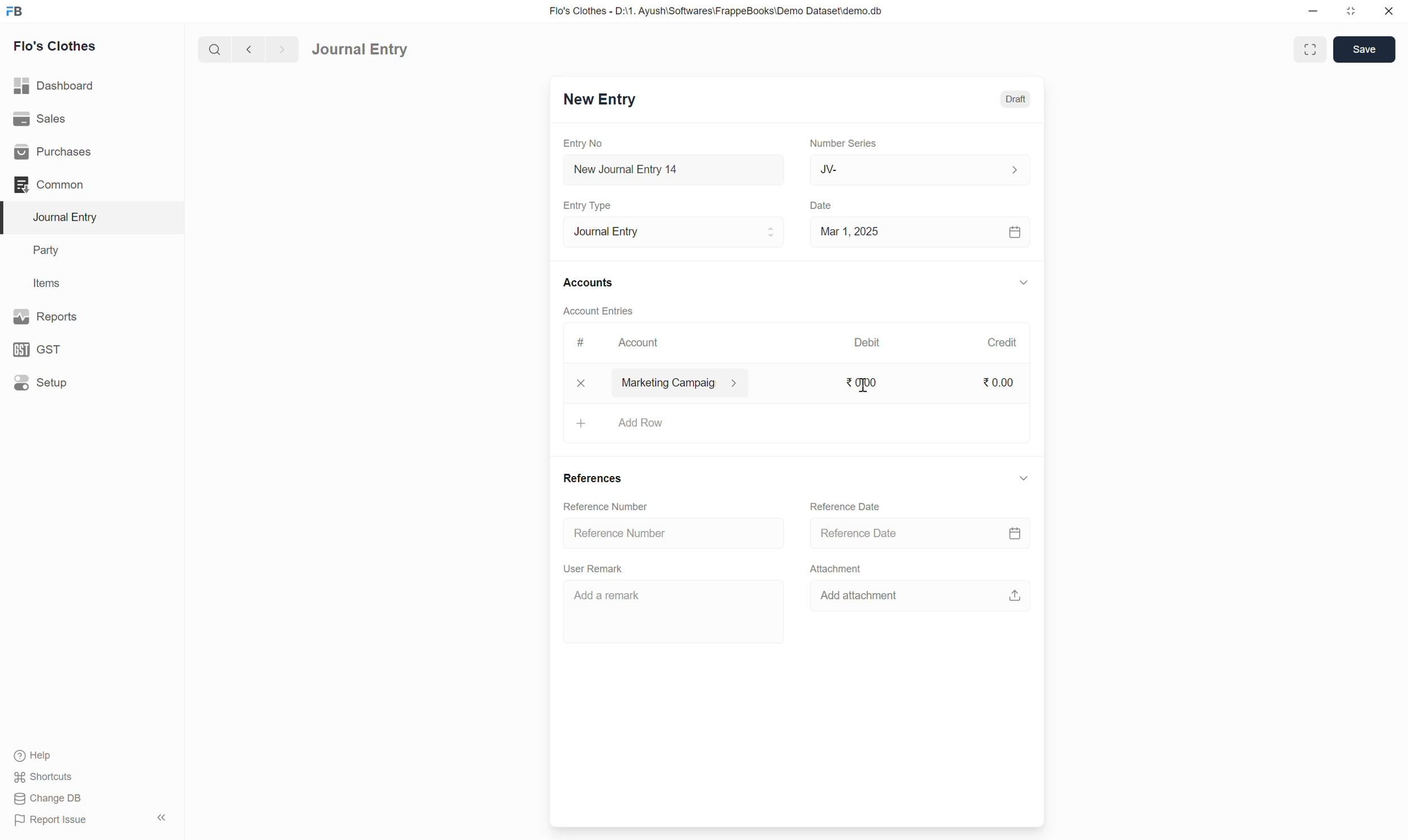 This screenshot has width=1408, height=840. What do you see at coordinates (1017, 98) in the screenshot?
I see `Draft` at bounding box center [1017, 98].